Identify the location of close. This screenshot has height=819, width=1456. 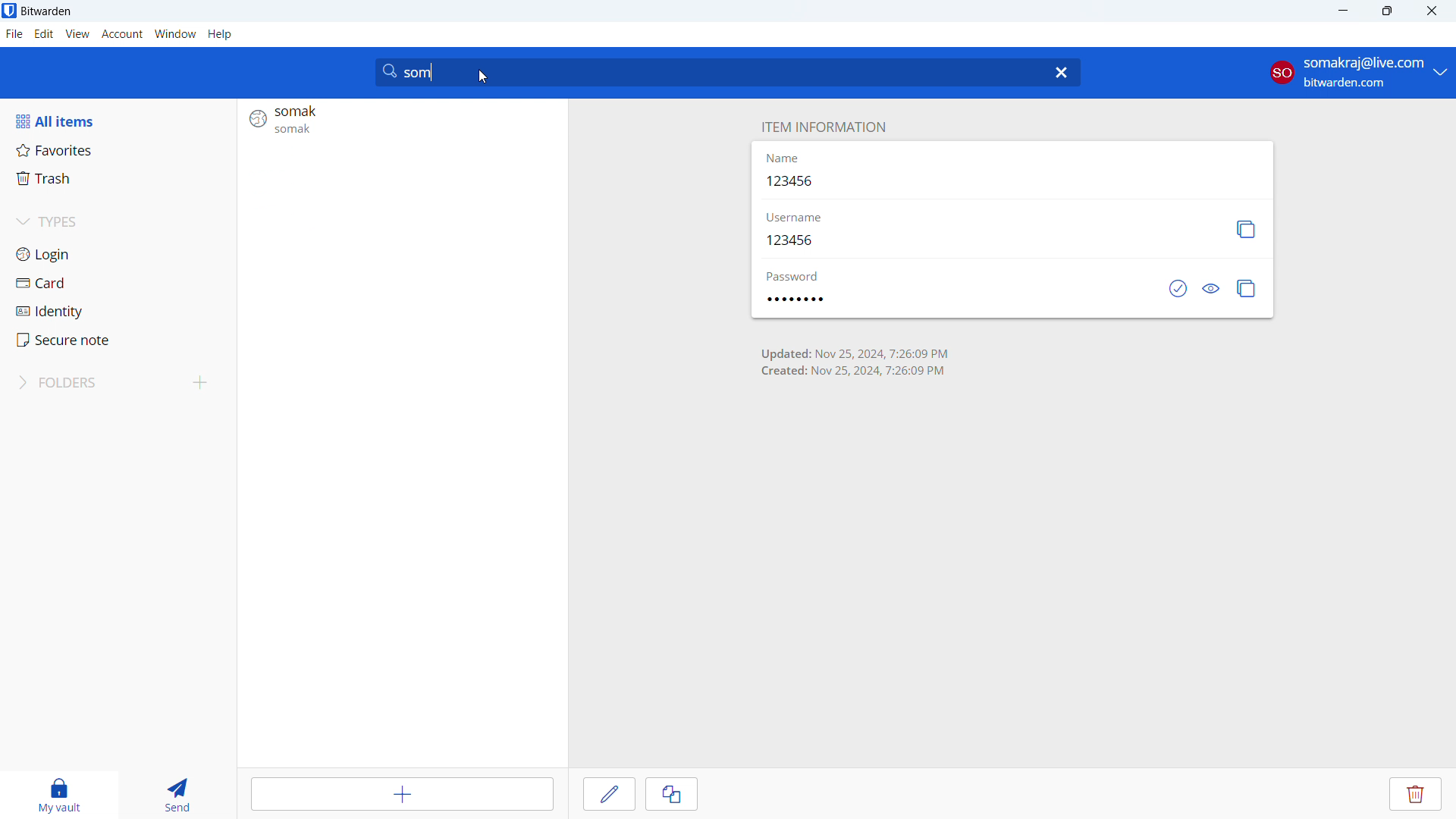
(1432, 11).